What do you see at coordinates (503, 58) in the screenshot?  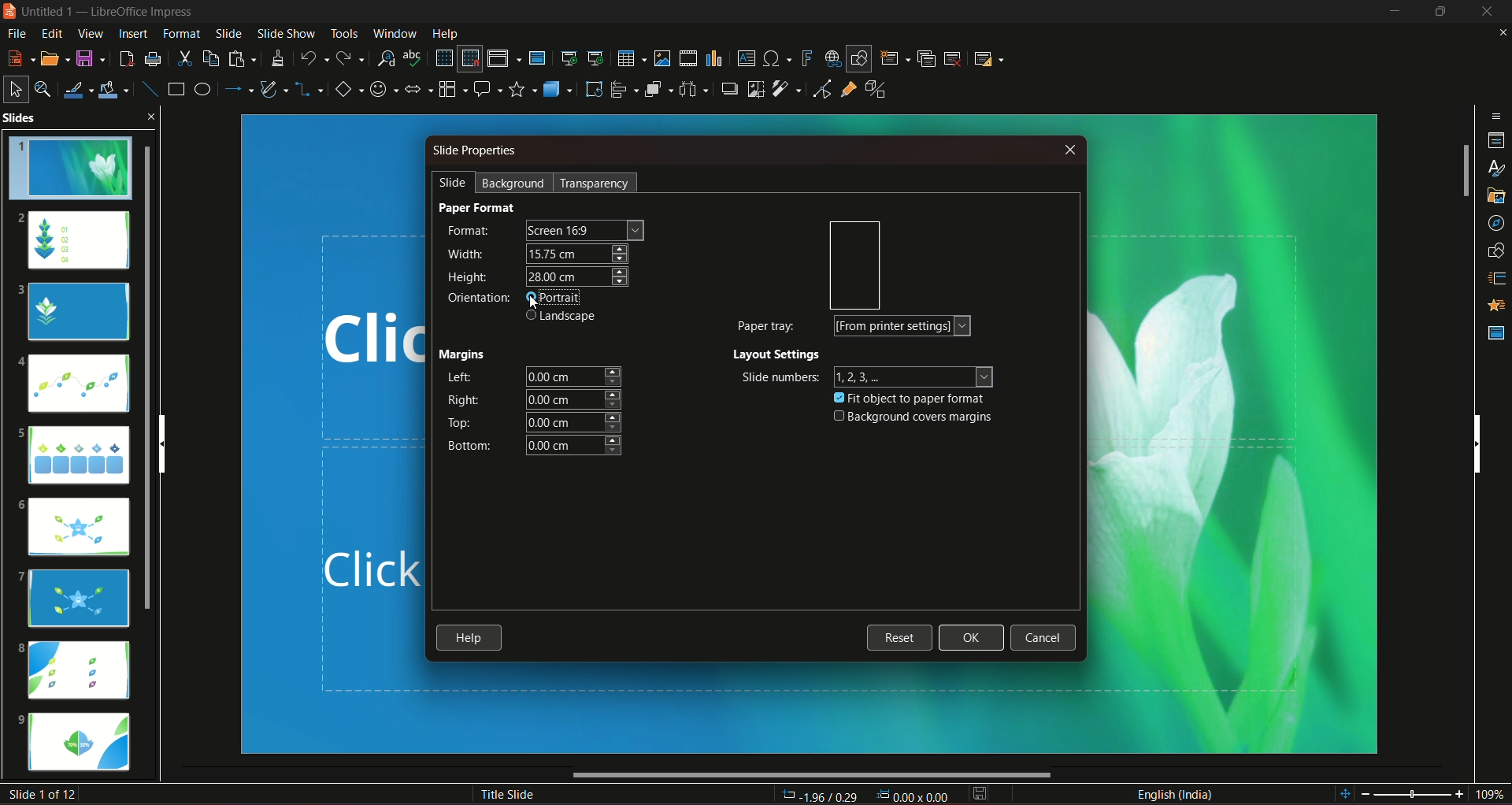 I see `display views` at bounding box center [503, 58].